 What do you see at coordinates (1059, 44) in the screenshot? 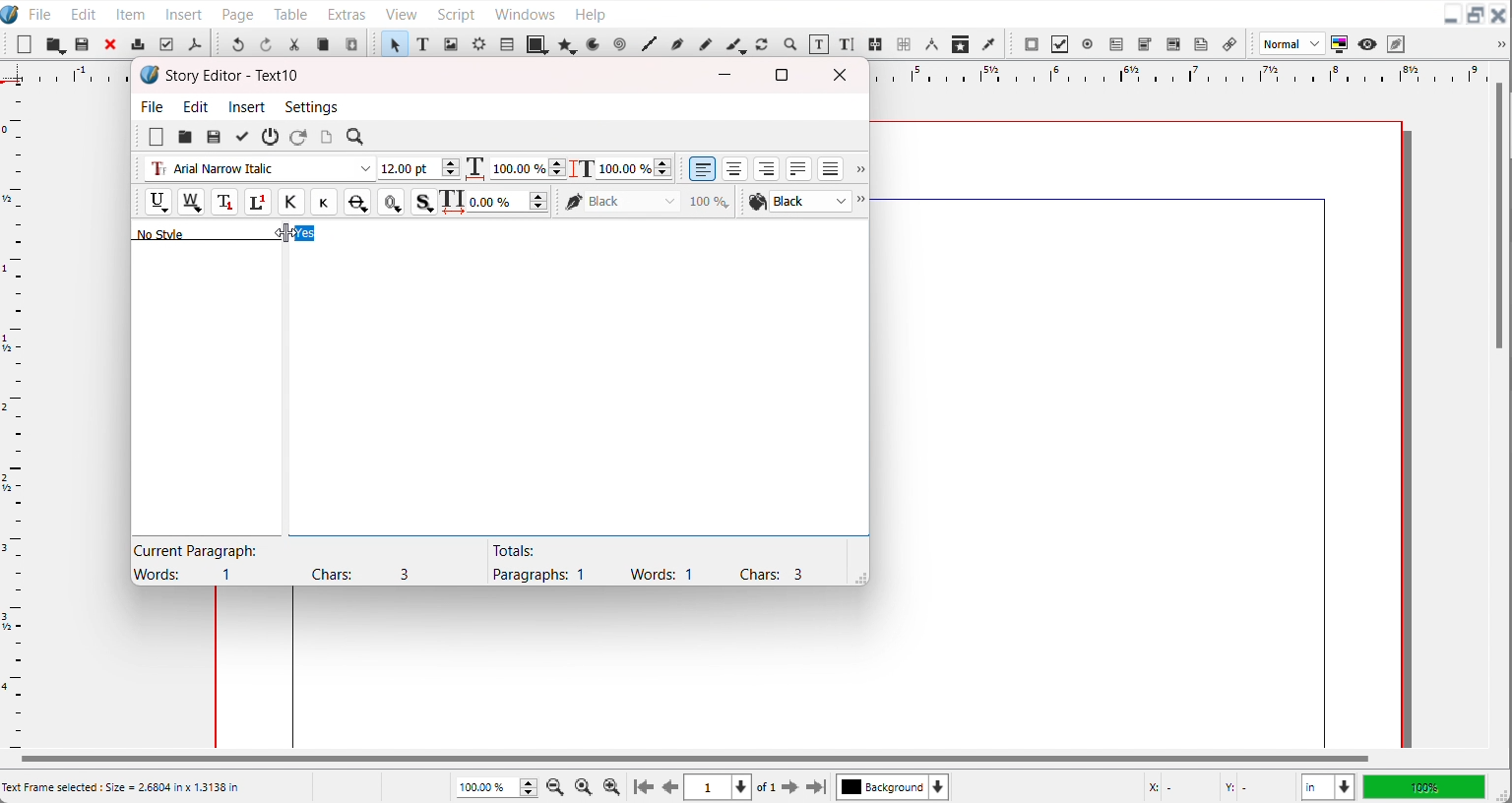
I see `PDF Check Button` at bounding box center [1059, 44].